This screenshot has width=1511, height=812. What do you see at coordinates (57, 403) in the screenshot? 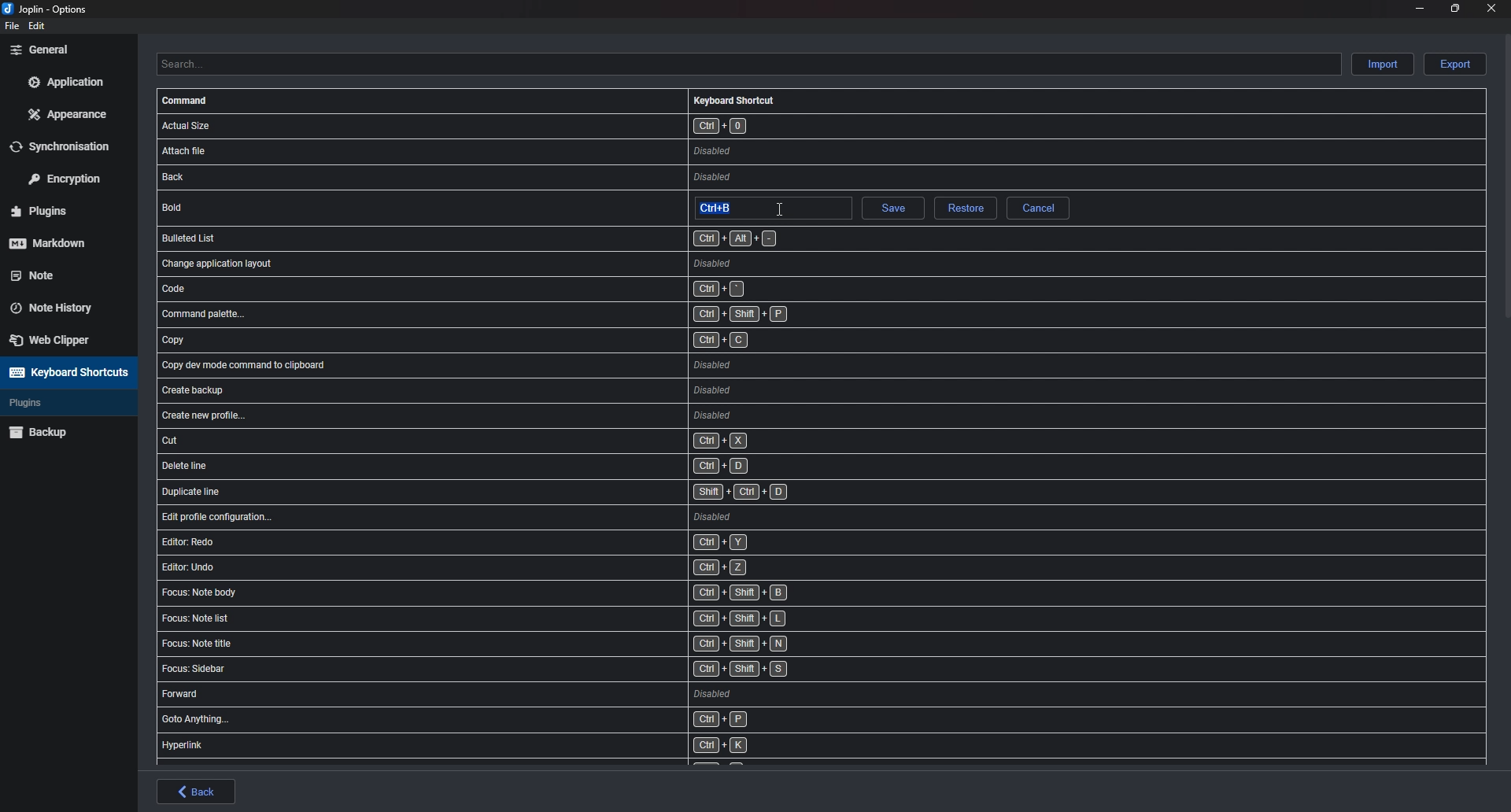
I see `Plugins` at bounding box center [57, 403].